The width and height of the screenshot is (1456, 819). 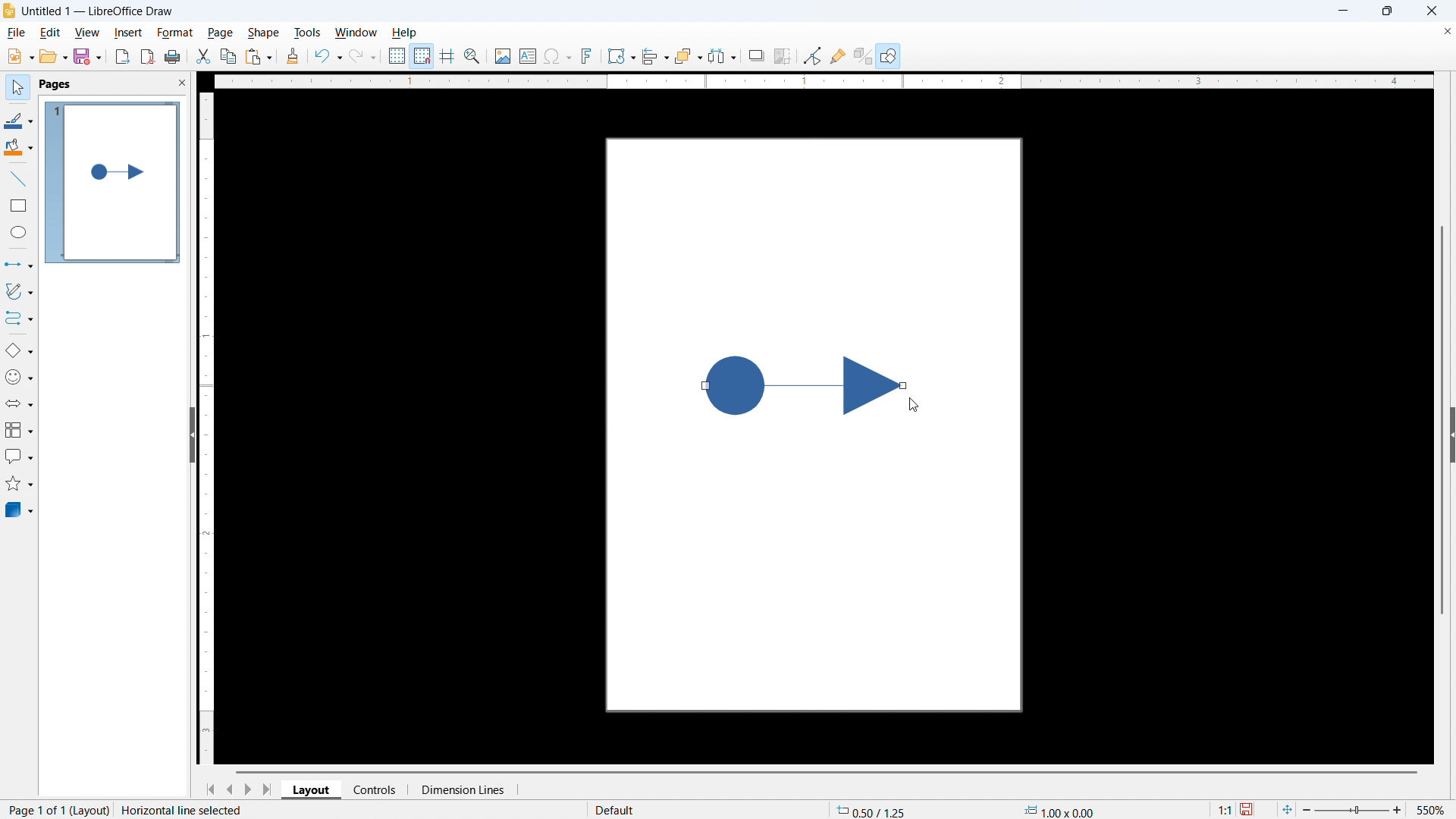 What do you see at coordinates (19, 180) in the screenshot?
I see `Line ` at bounding box center [19, 180].